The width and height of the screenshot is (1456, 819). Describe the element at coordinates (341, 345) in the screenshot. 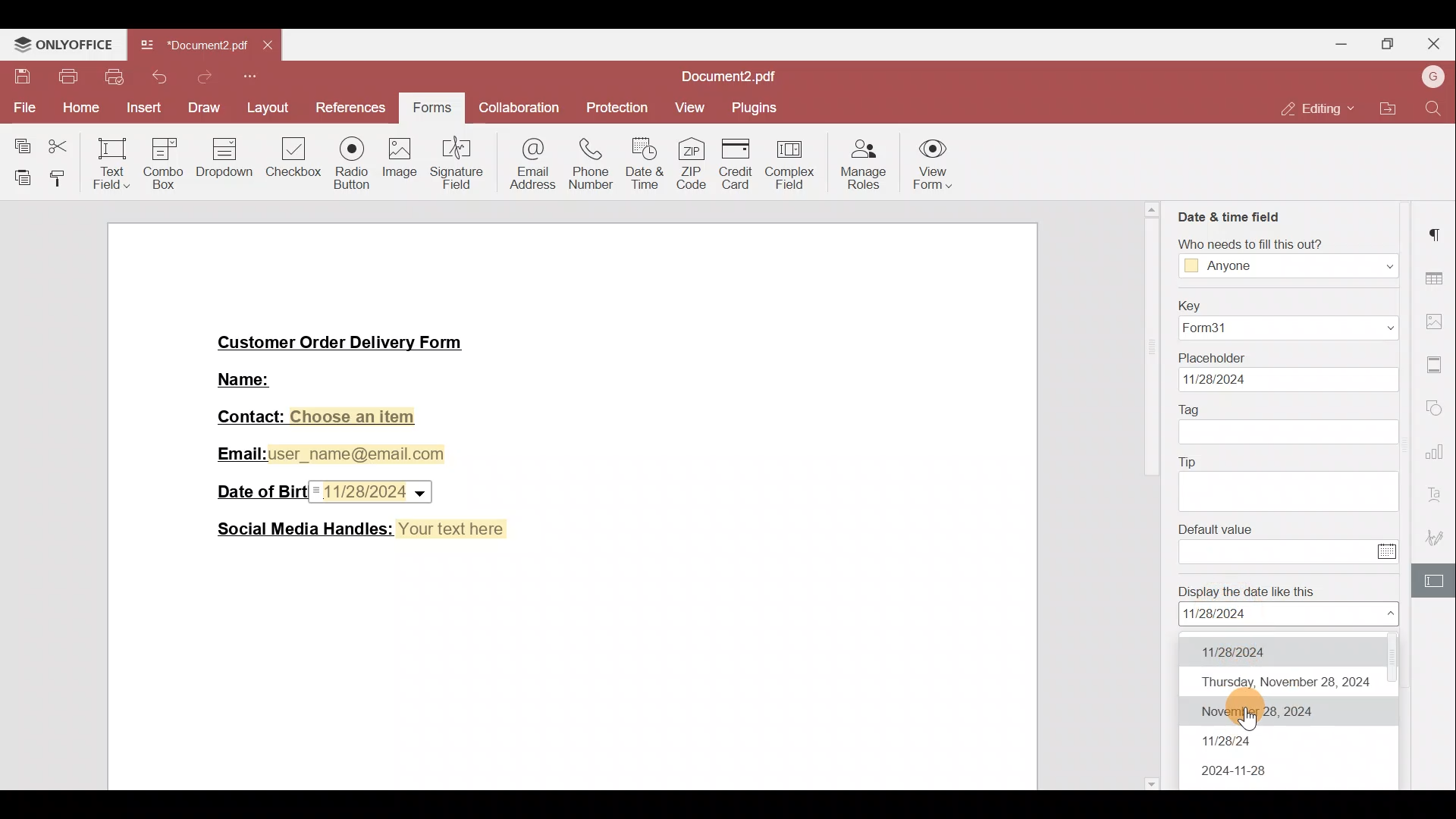

I see `Customer Order Delivery Form|` at that location.